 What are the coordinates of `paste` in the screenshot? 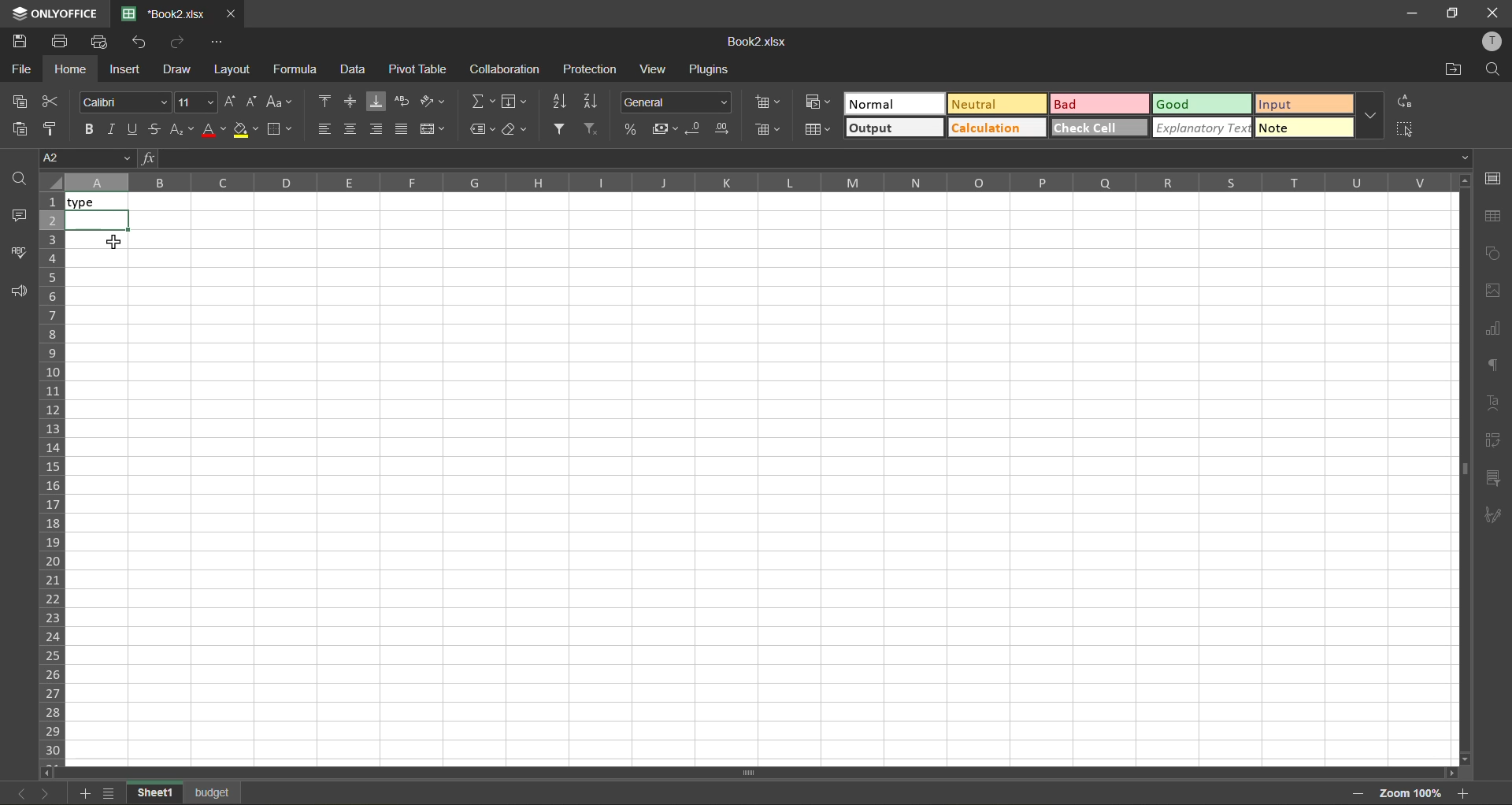 It's located at (19, 127).